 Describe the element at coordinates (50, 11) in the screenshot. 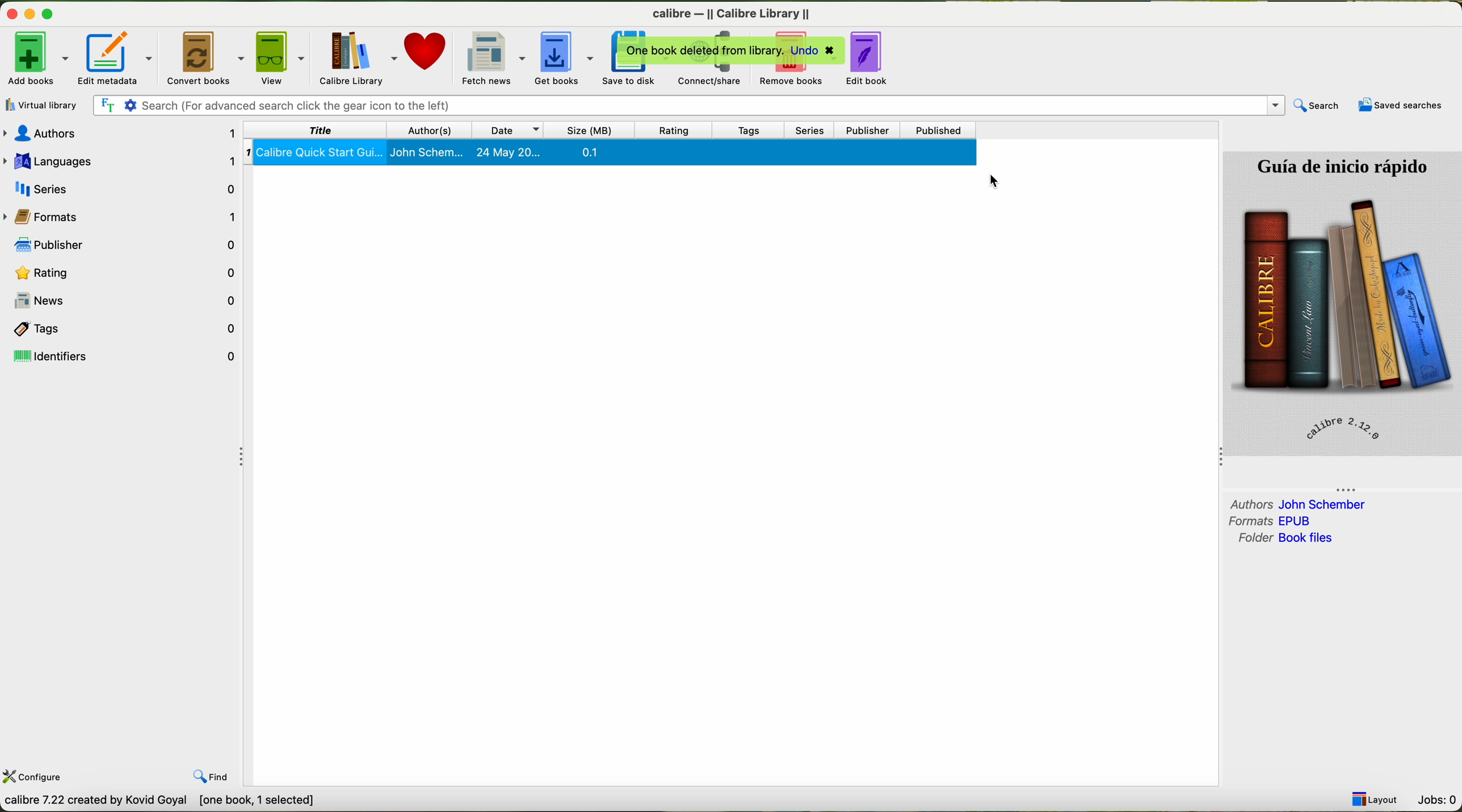

I see `maximize program` at that location.